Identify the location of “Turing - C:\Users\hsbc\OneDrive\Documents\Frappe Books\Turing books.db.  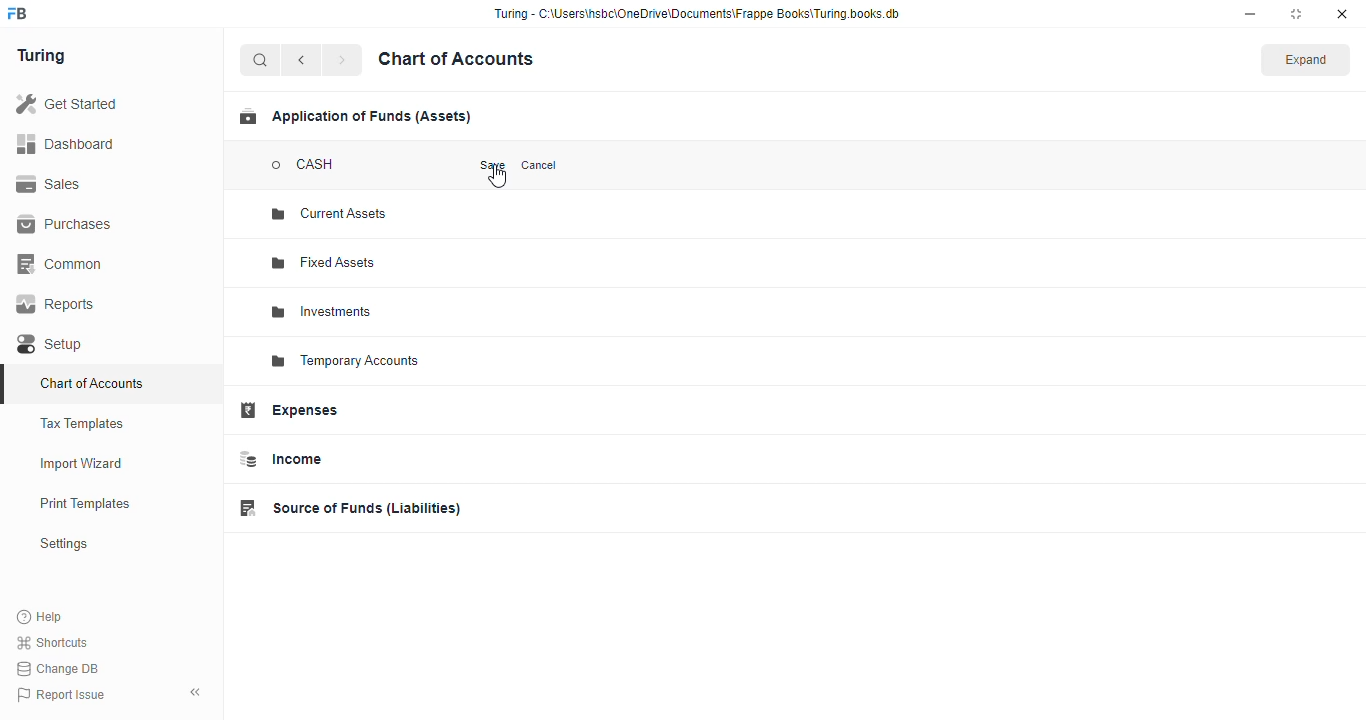
(696, 13).